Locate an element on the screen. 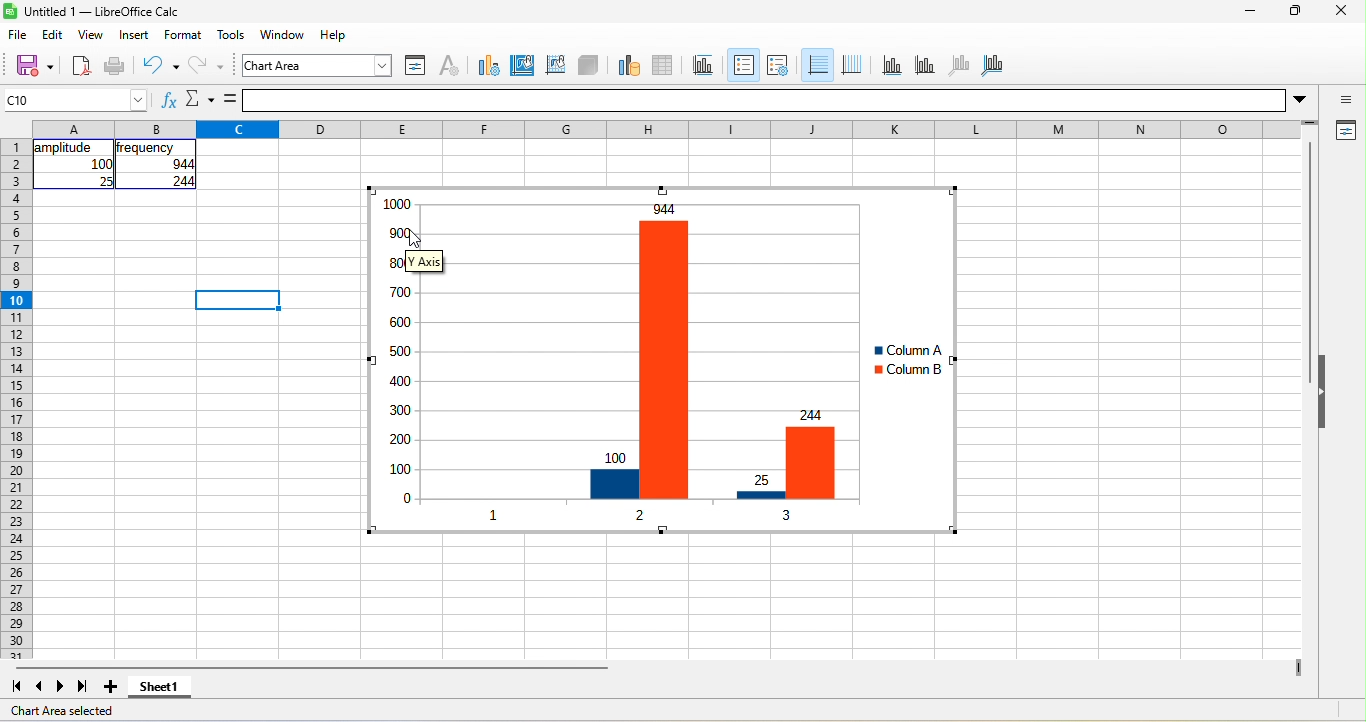 The image size is (1366, 722). z axis is located at coordinates (957, 64).